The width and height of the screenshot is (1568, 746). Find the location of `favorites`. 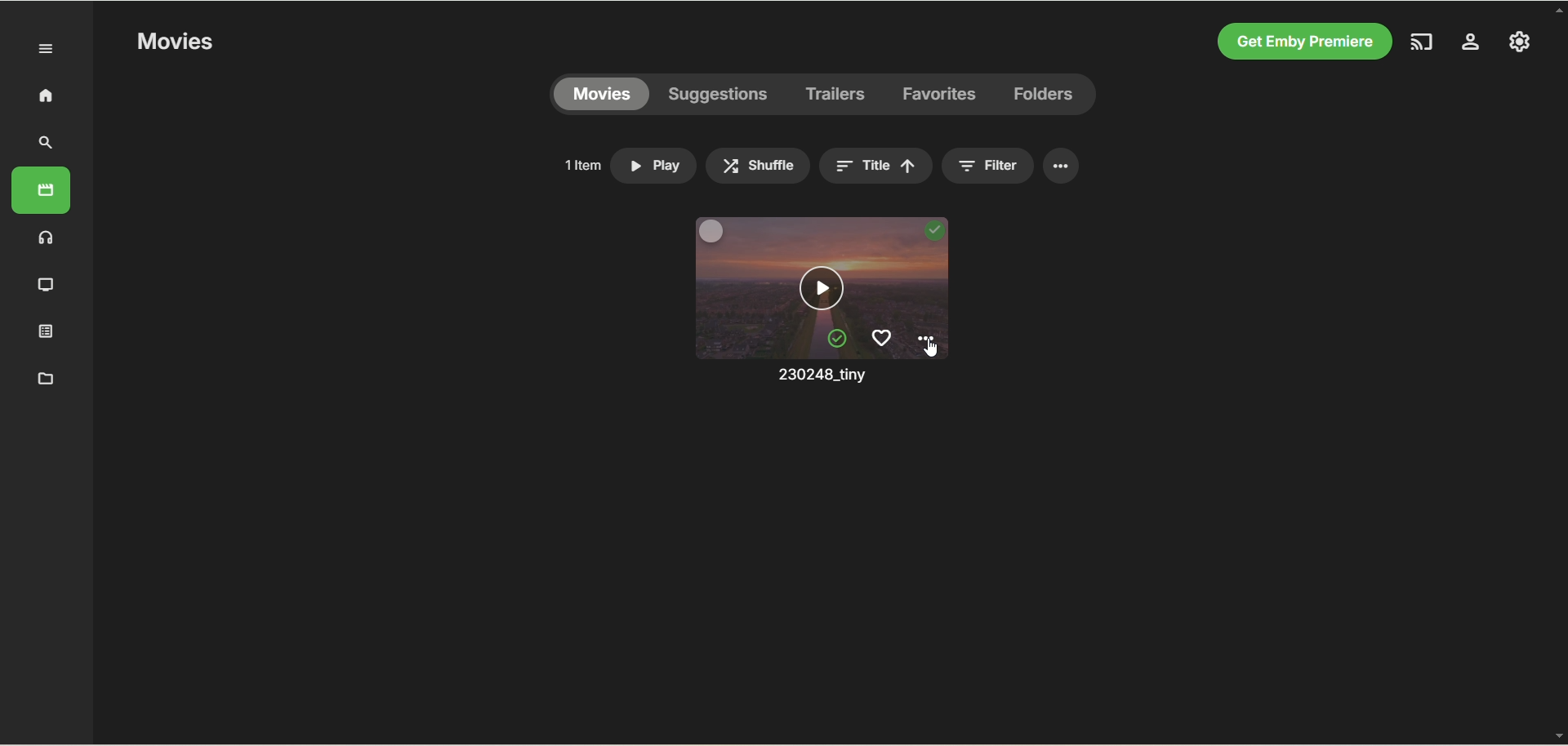

favorites is located at coordinates (940, 95).